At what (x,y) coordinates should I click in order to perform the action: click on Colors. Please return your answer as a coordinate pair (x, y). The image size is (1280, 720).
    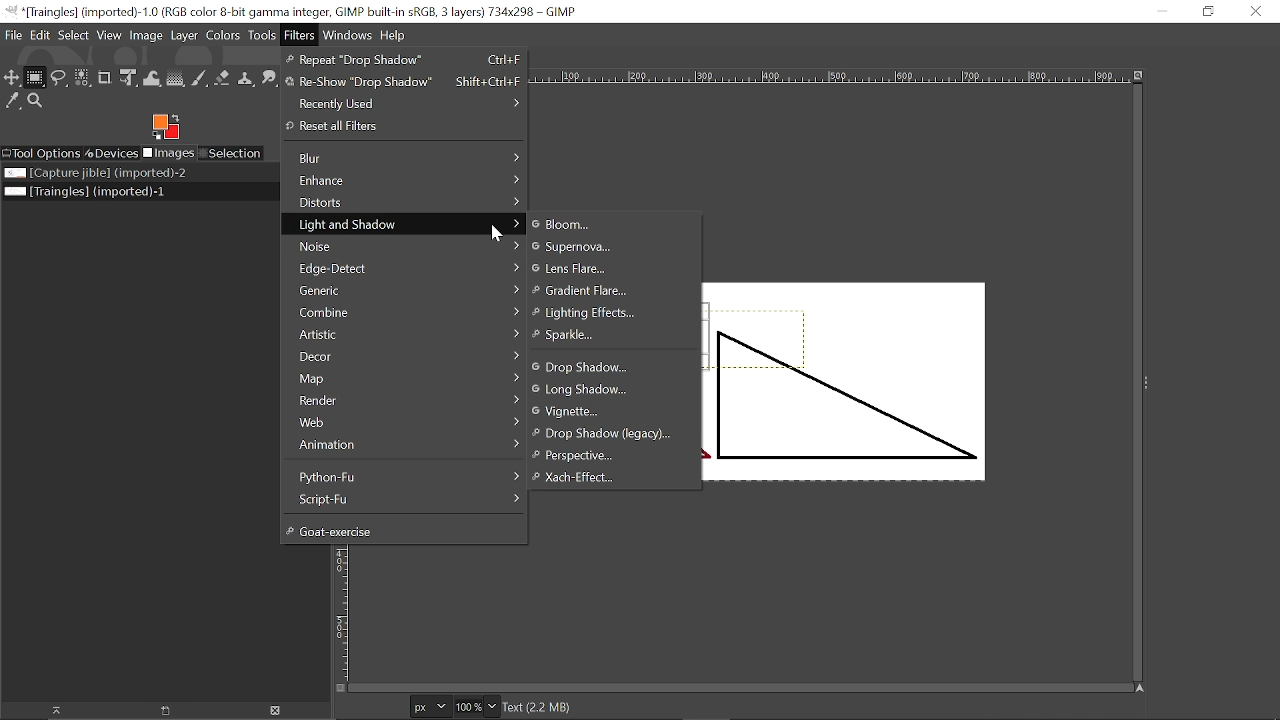
    Looking at the image, I should click on (223, 36).